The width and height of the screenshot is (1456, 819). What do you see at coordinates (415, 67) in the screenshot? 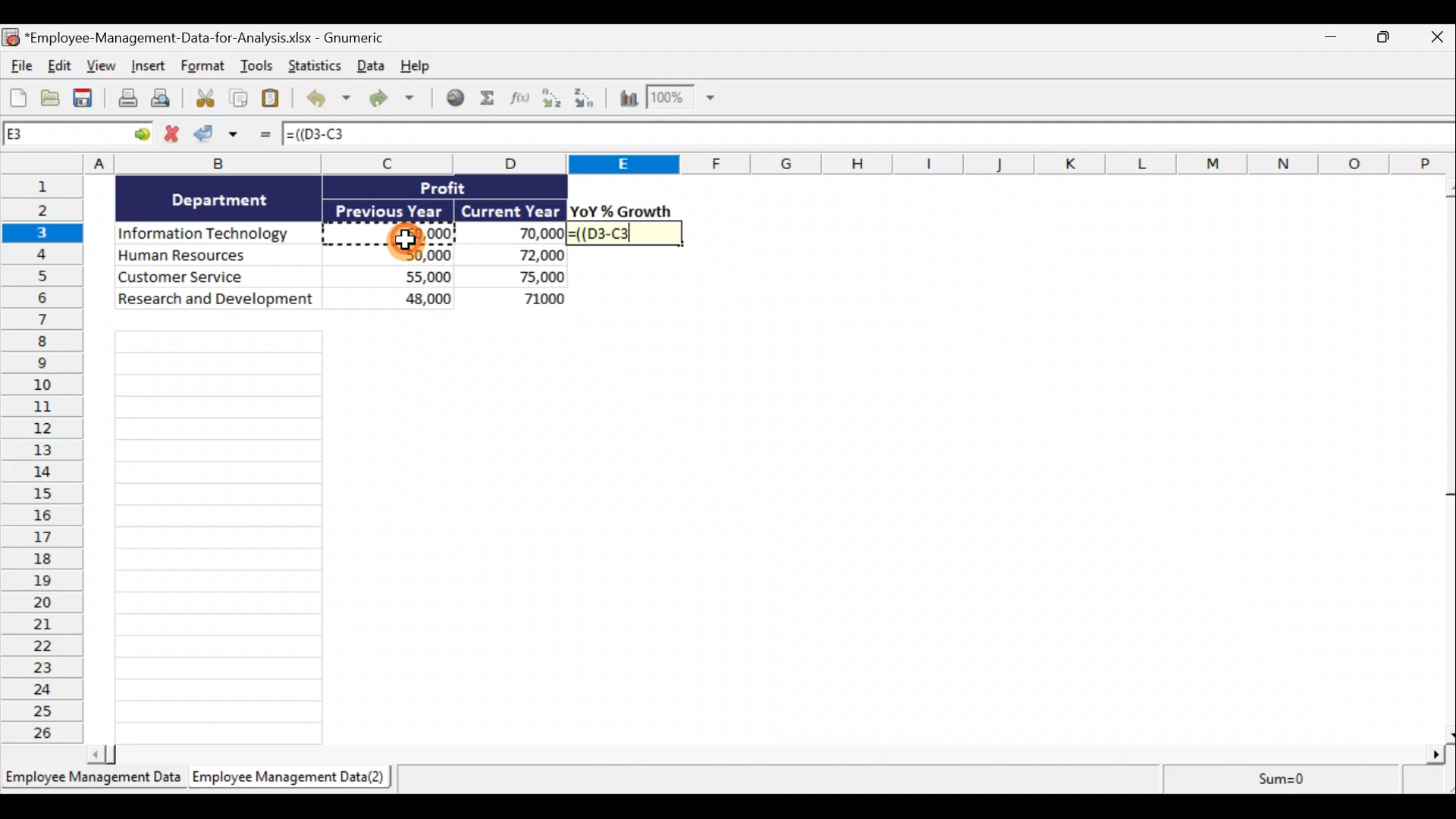
I see `Help` at bounding box center [415, 67].